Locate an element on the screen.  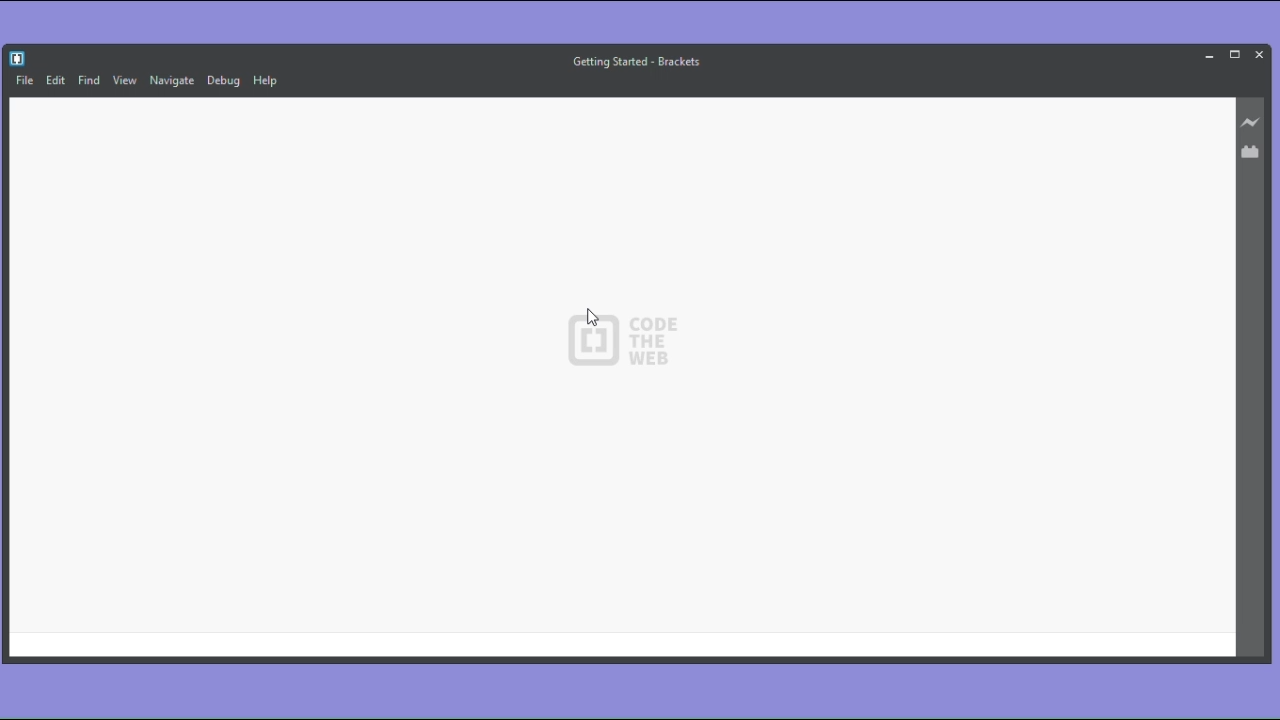
Edit is located at coordinates (55, 81).